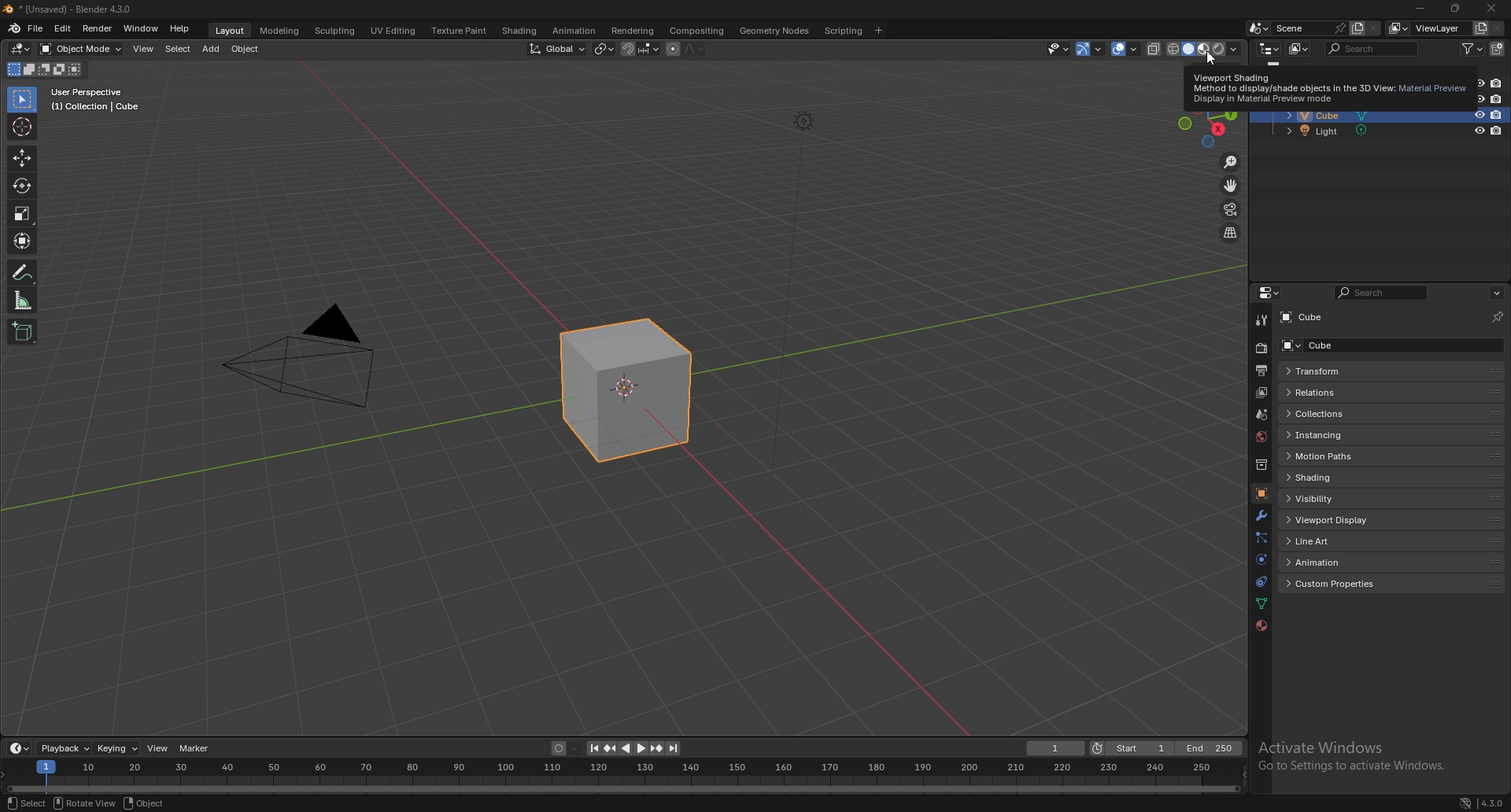 Image resolution: width=1511 pixels, height=812 pixels. Describe the element at coordinates (158, 748) in the screenshot. I see `view` at that location.